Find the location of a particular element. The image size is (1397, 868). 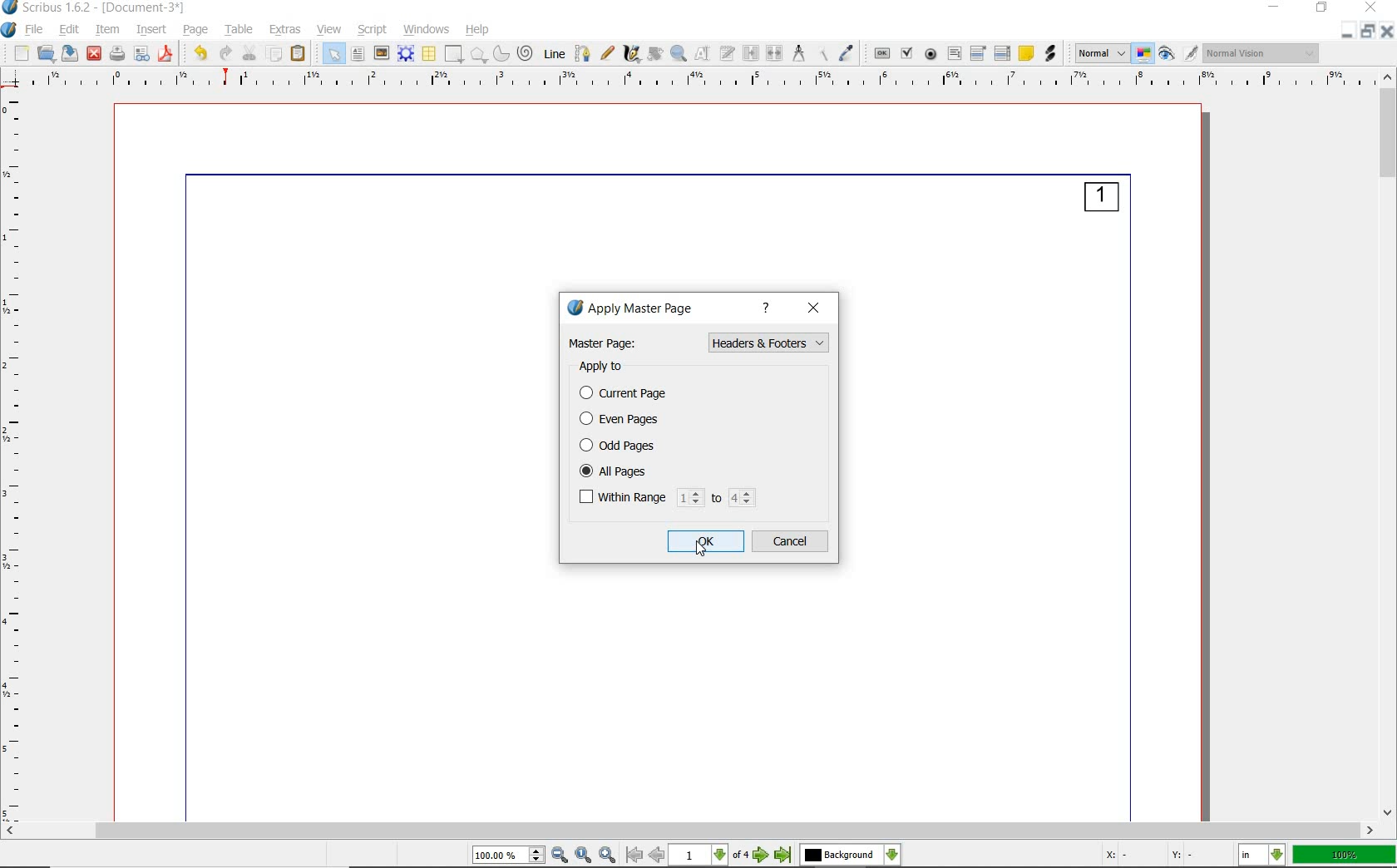

link text frames is located at coordinates (749, 52).